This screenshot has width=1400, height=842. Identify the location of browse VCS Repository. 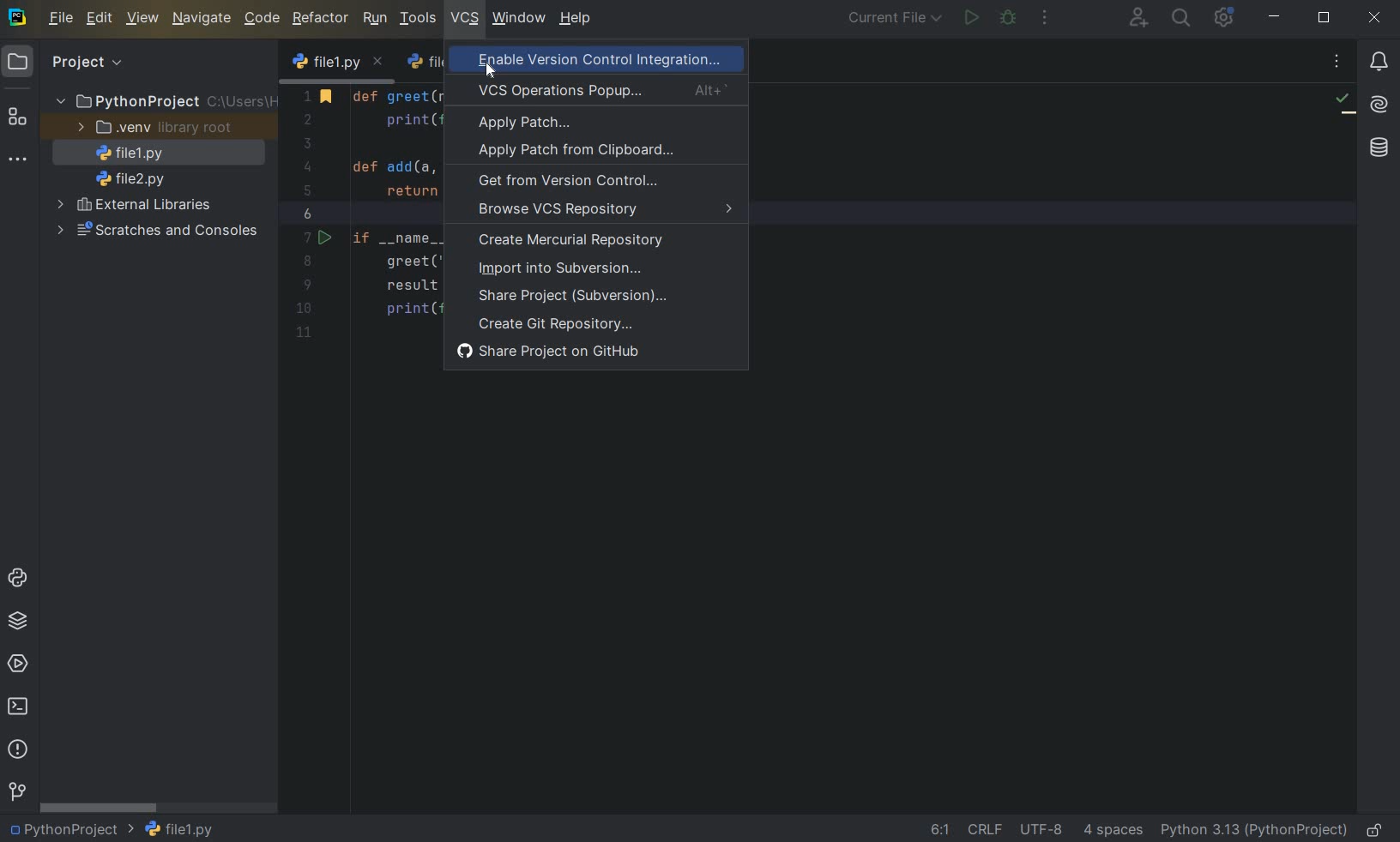
(601, 213).